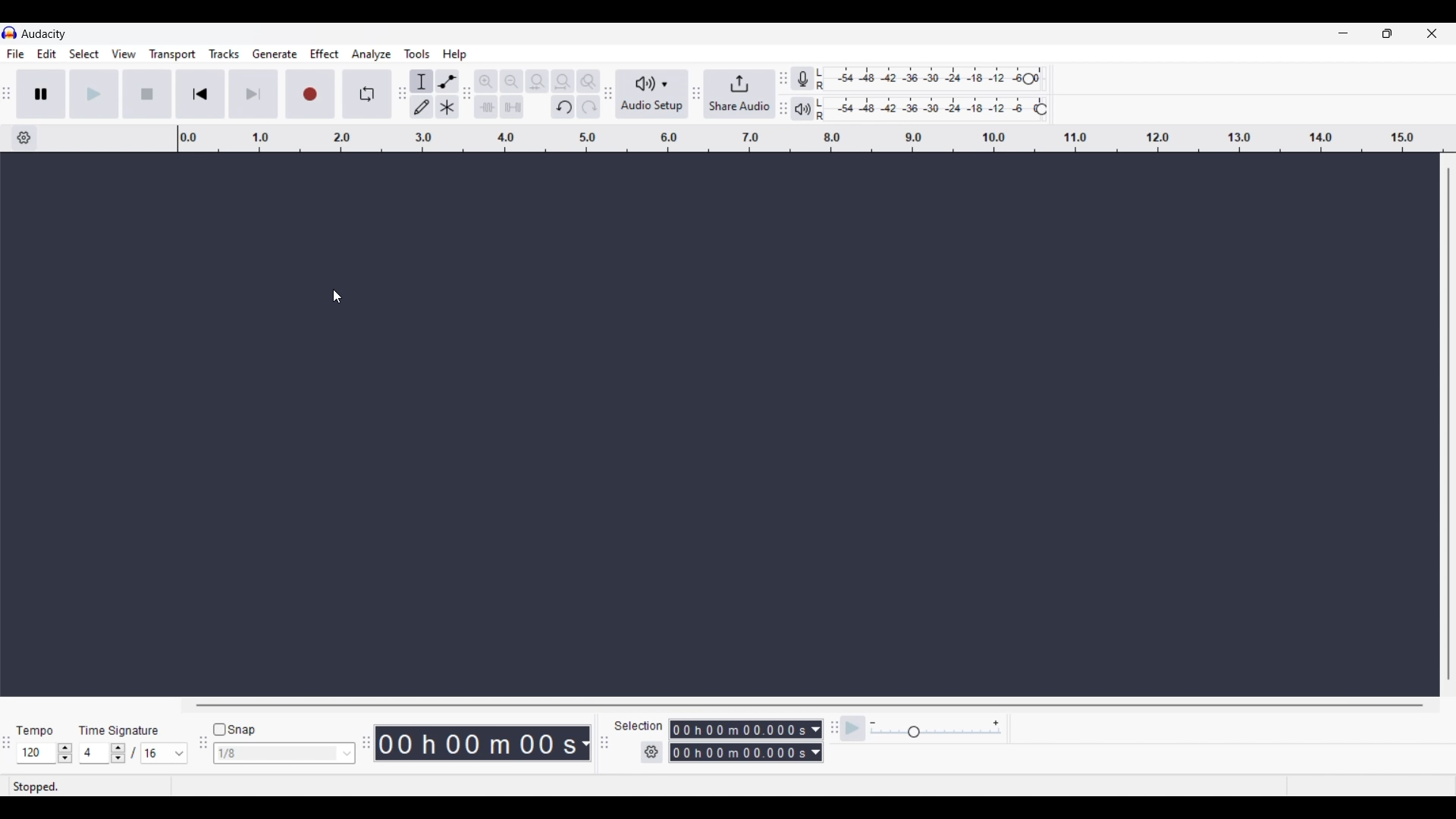  What do you see at coordinates (422, 81) in the screenshot?
I see `Selection tool` at bounding box center [422, 81].